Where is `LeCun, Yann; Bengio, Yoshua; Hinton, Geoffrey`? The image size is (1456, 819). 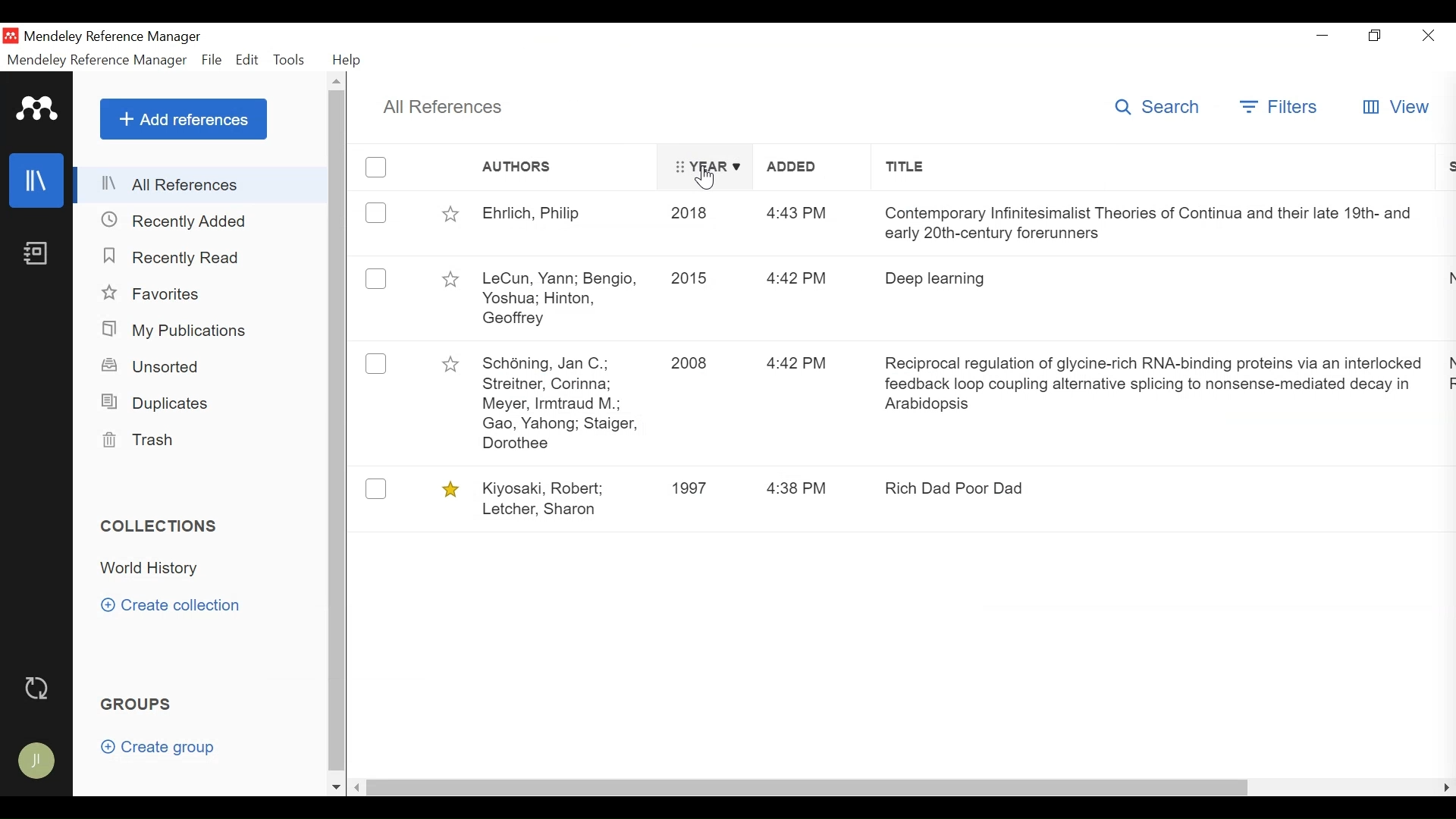 LeCun, Yann; Bengio, Yoshua; Hinton, Geoffrey is located at coordinates (564, 296).